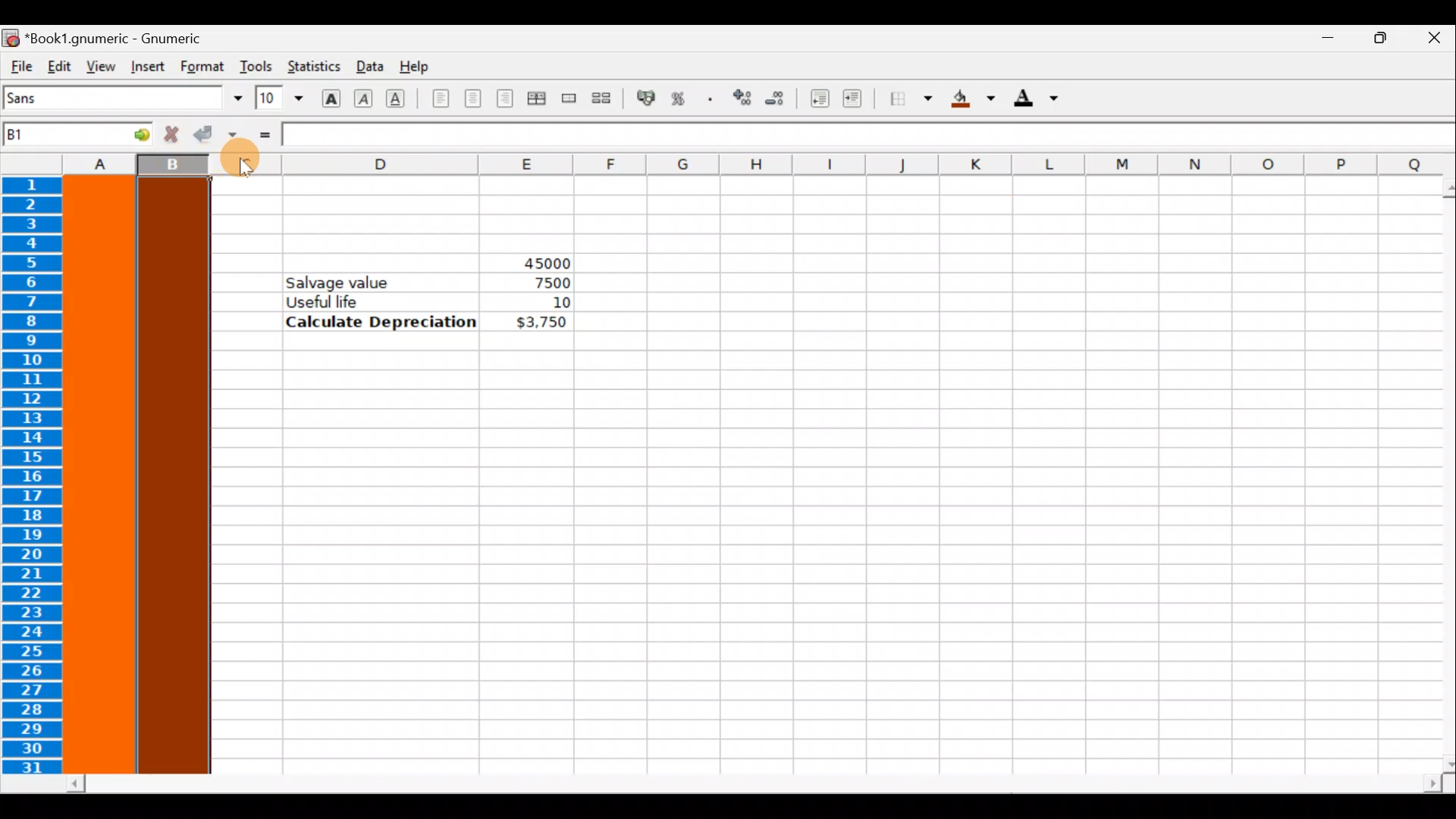 Image resolution: width=1456 pixels, height=819 pixels. I want to click on Useful life, so click(384, 301).